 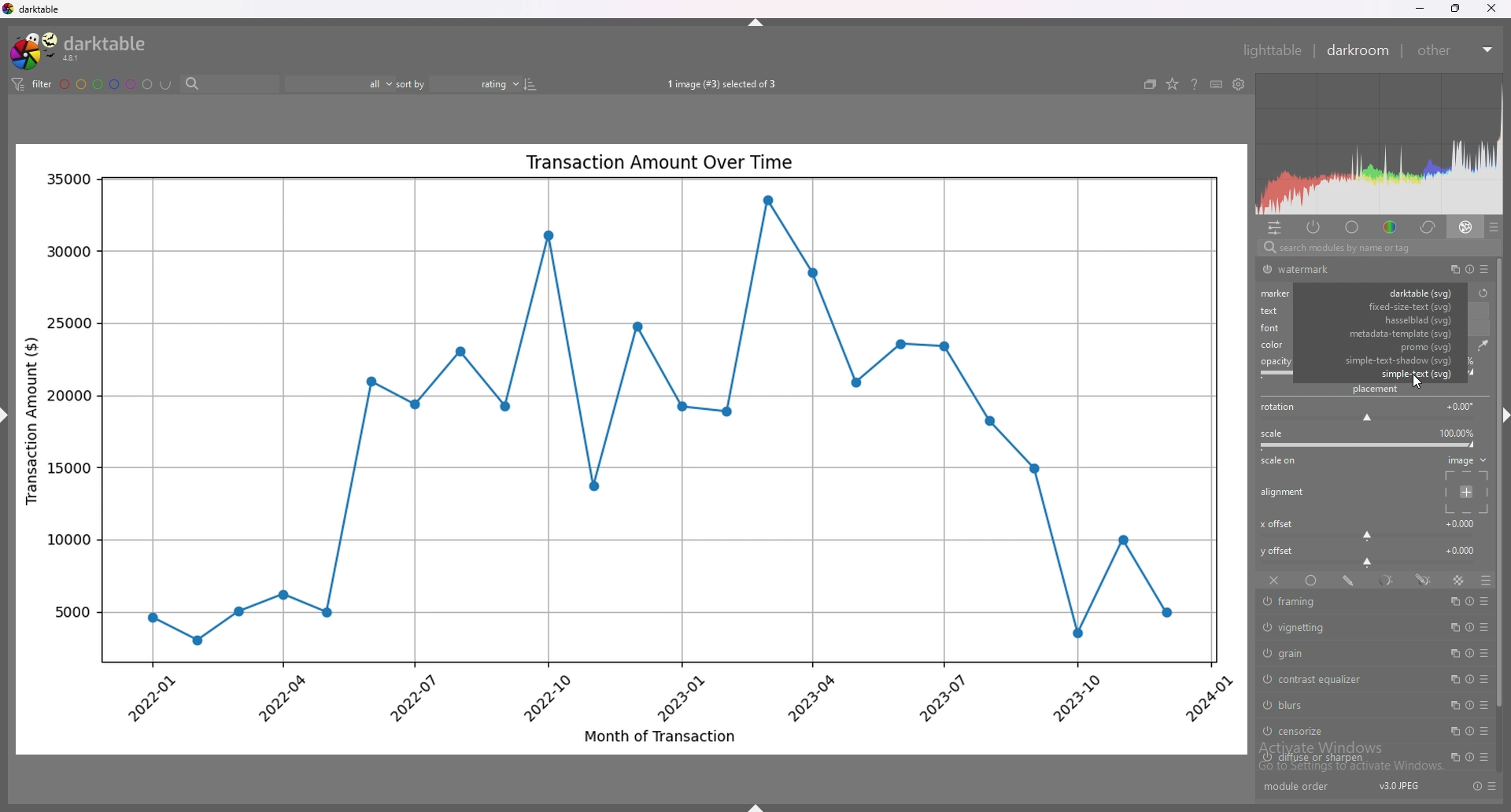 What do you see at coordinates (1476, 786) in the screenshot?
I see `reset` at bounding box center [1476, 786].